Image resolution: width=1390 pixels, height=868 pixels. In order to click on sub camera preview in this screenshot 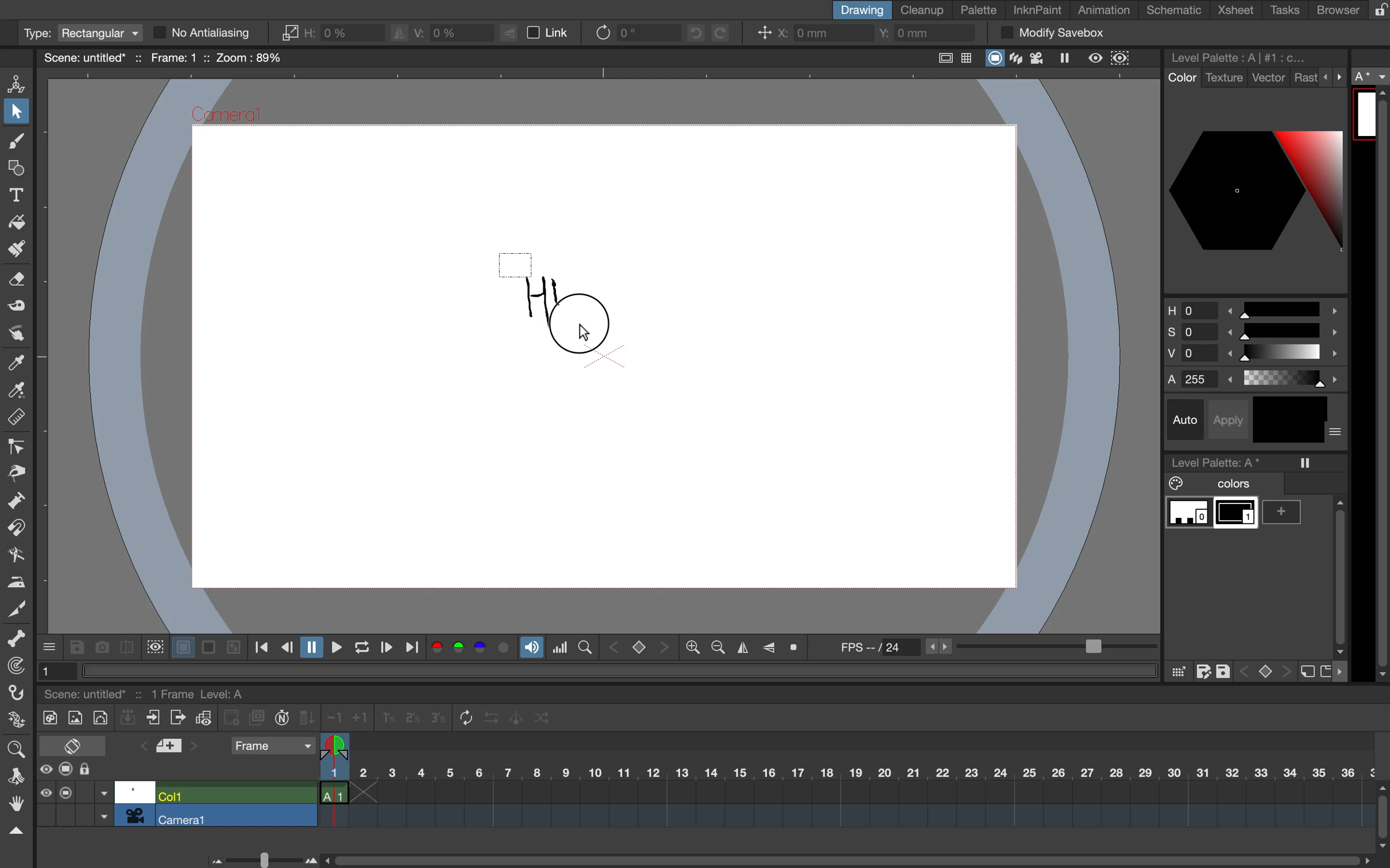, I will do `click(1121, 59)`.